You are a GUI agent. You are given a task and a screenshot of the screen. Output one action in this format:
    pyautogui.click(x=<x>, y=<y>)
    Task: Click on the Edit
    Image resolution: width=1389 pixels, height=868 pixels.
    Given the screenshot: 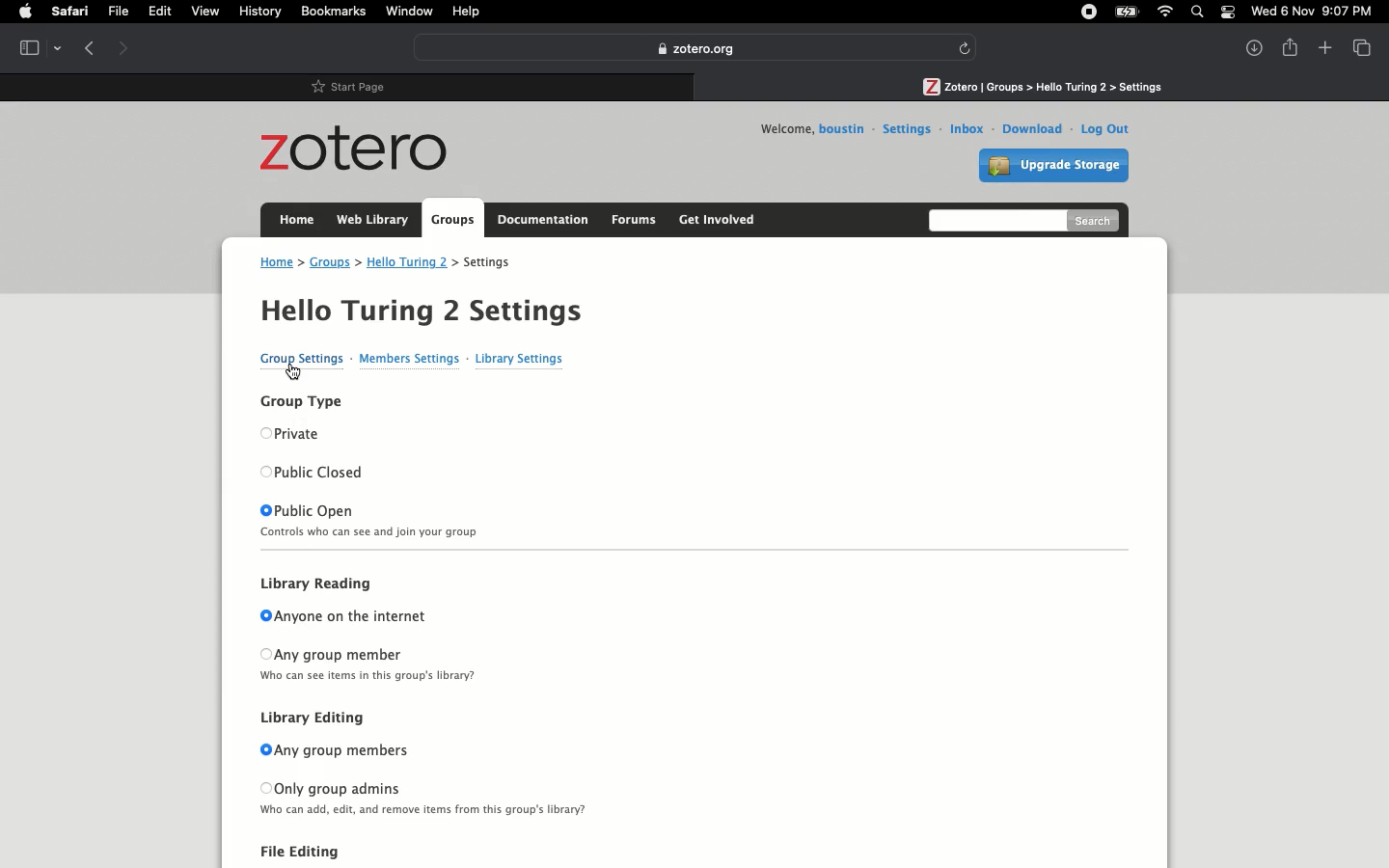 What is the action you would take?
    pyautogui.click(x=164, y=14)
    